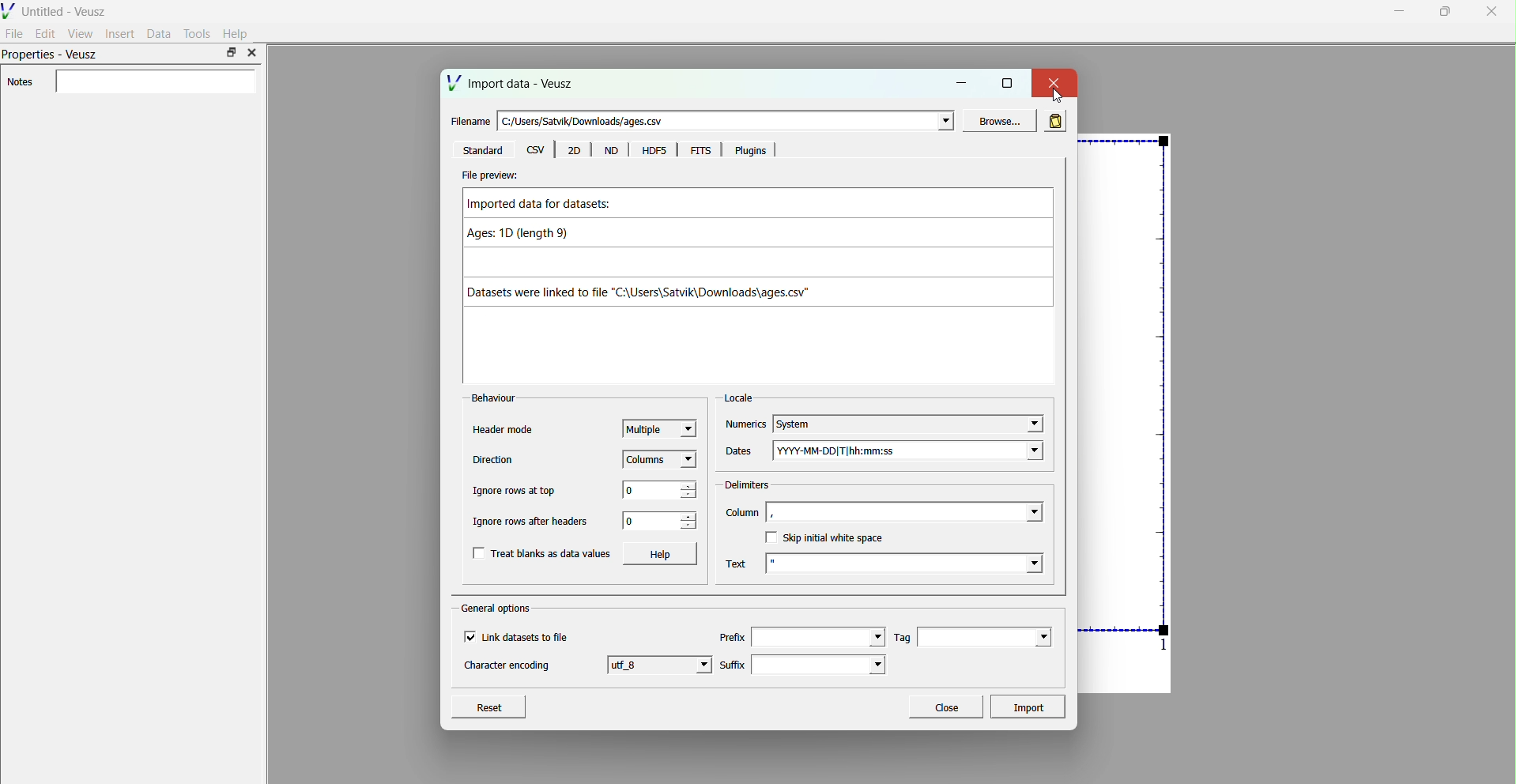 Image resolution: width=1516 pixels, height=784 pixels. What do you see at coordinates (660, 427) in the screenshot?
I see `Multiple` at bounding box center [660, 427].